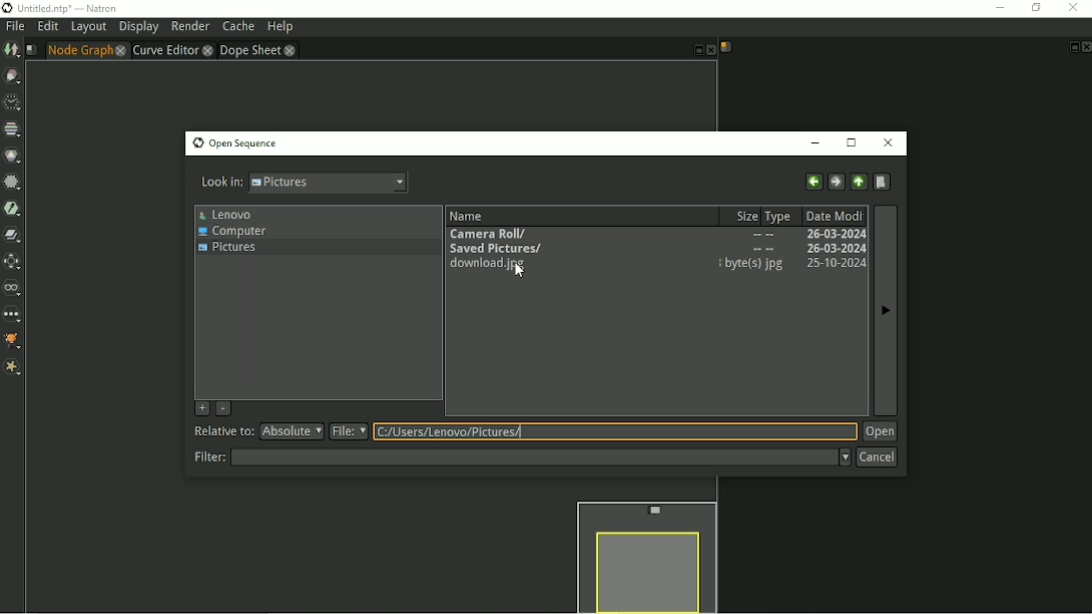  I want to click on Edit, so click(47, 27).